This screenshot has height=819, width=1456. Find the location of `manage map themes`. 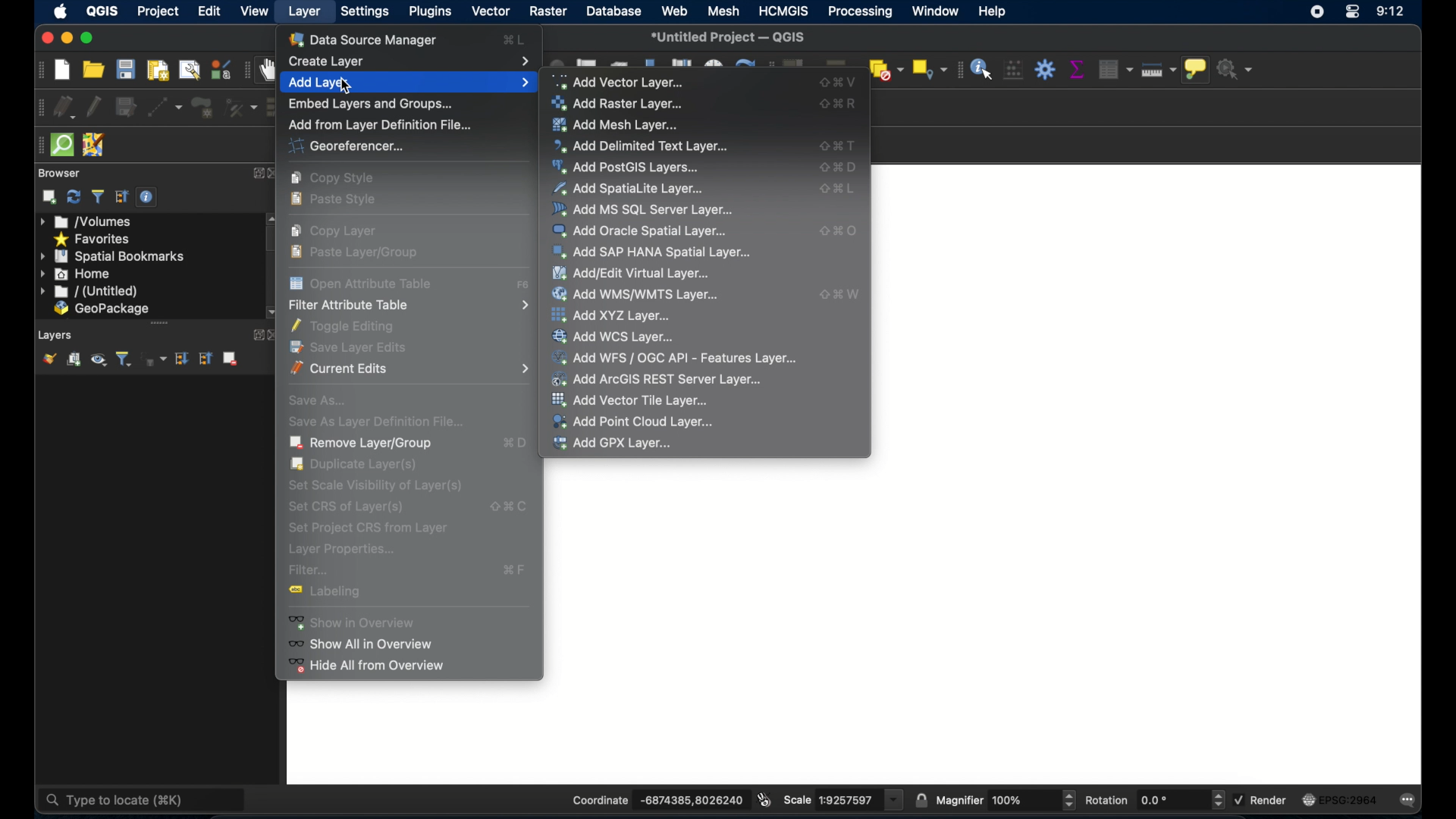

manage map themes is located at coordinates (99, 361).